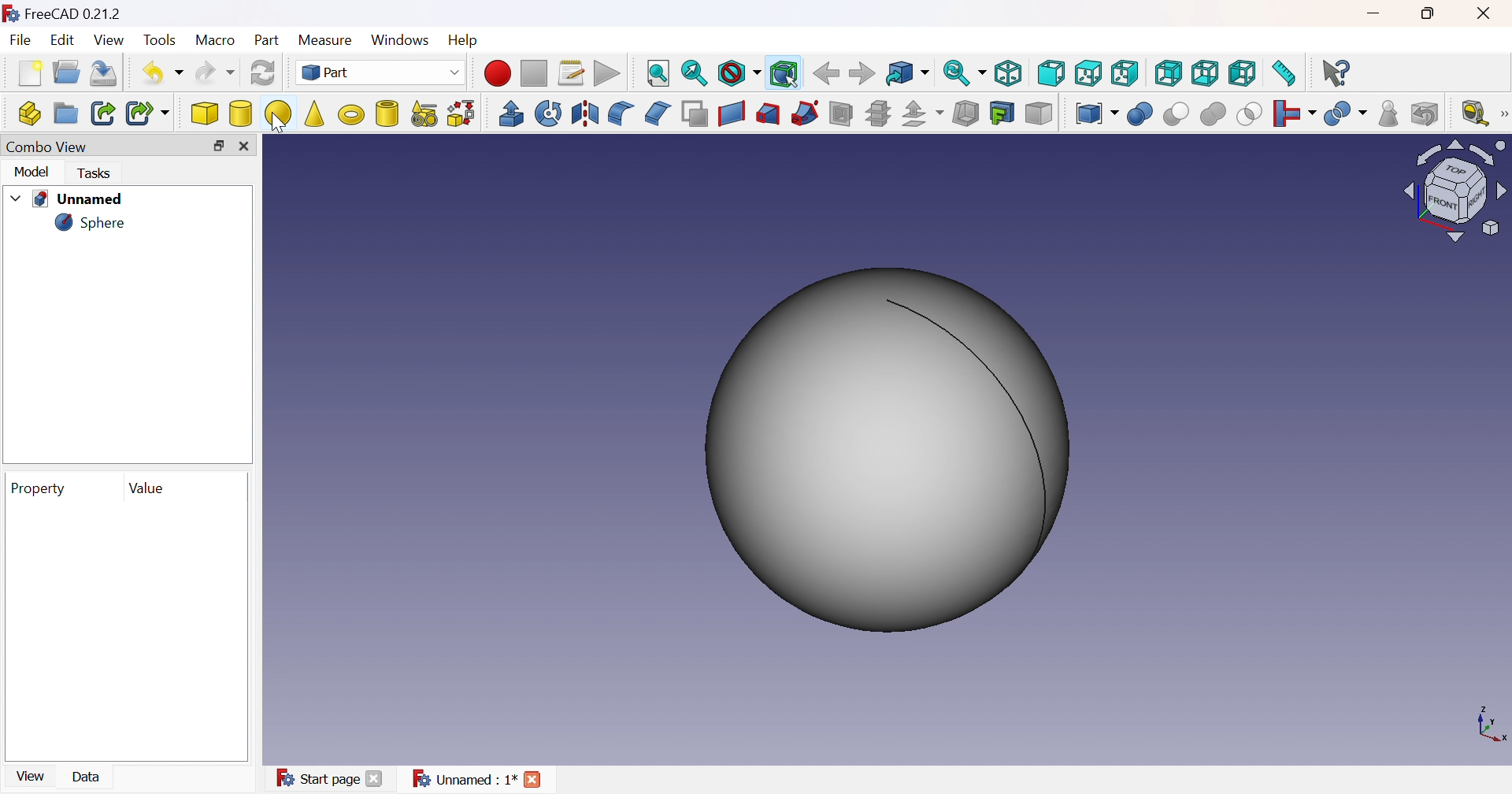 This screenshot has width=1512, height=794. I want to click on Top, so click(1088, 74).